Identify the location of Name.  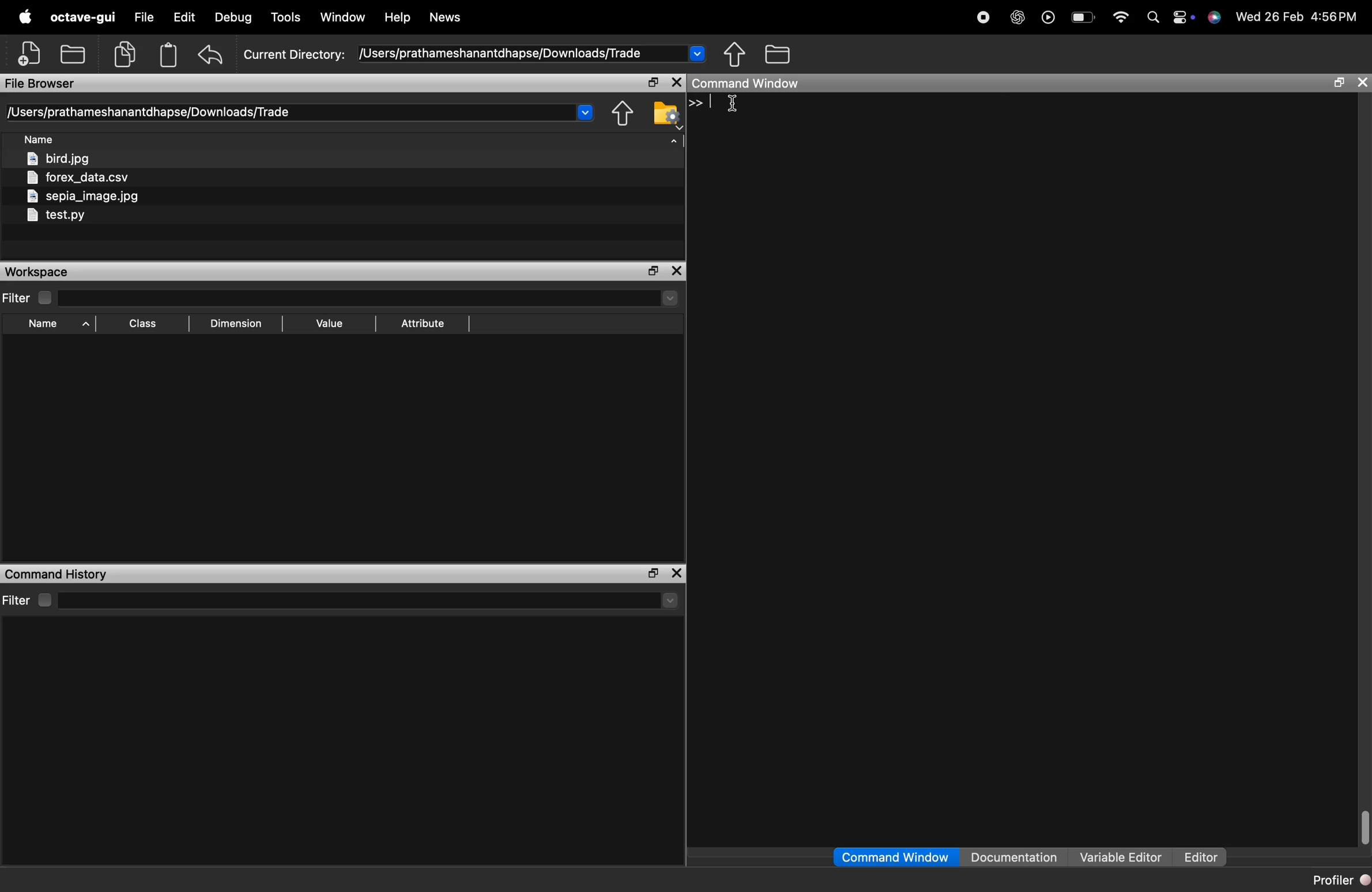
(38, 137).